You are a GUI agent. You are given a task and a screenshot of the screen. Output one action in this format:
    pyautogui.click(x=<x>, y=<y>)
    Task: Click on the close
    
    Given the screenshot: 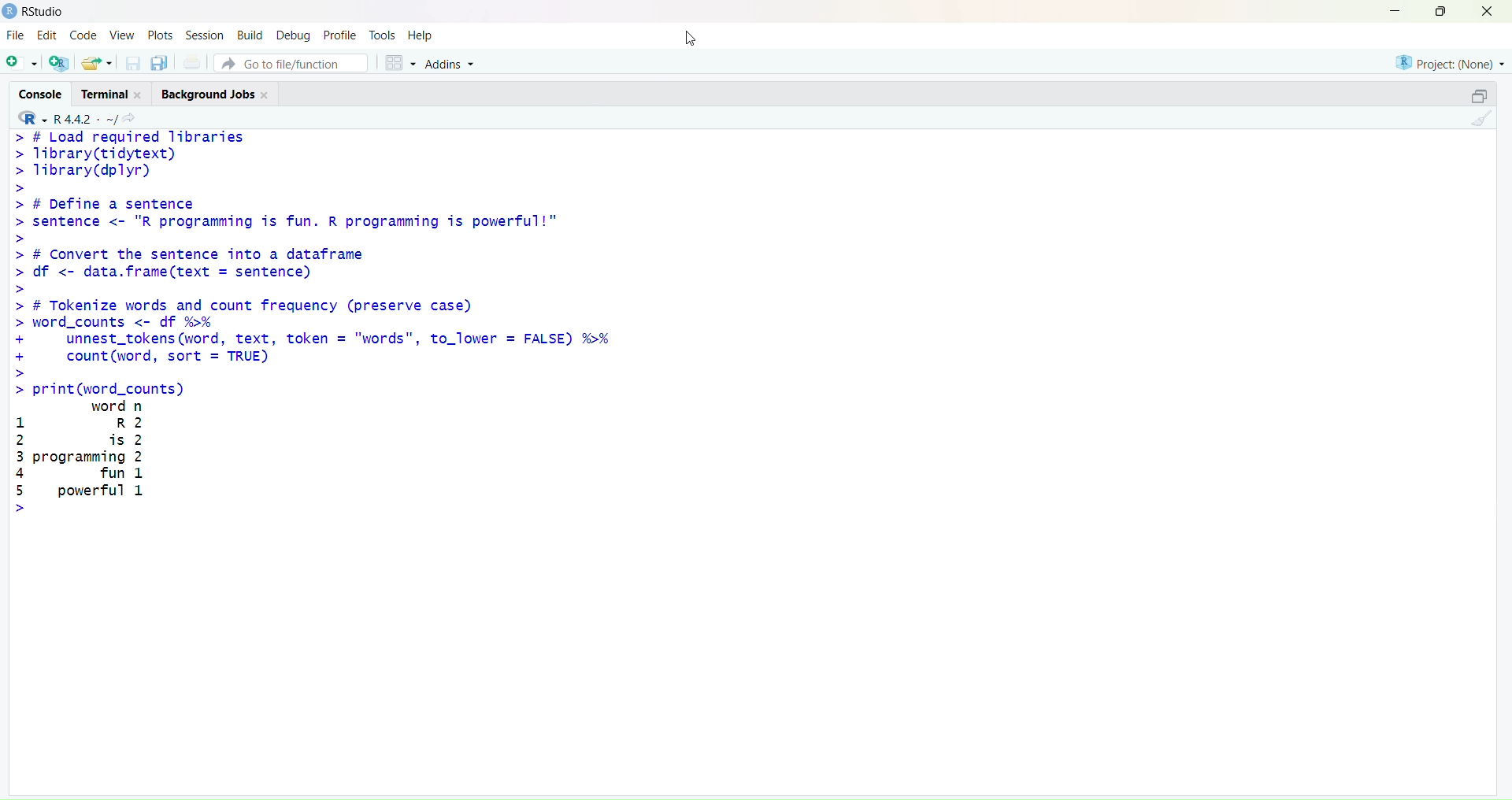 What is the action you would take?
    pyautogui.click(x=1488, y=12)
    